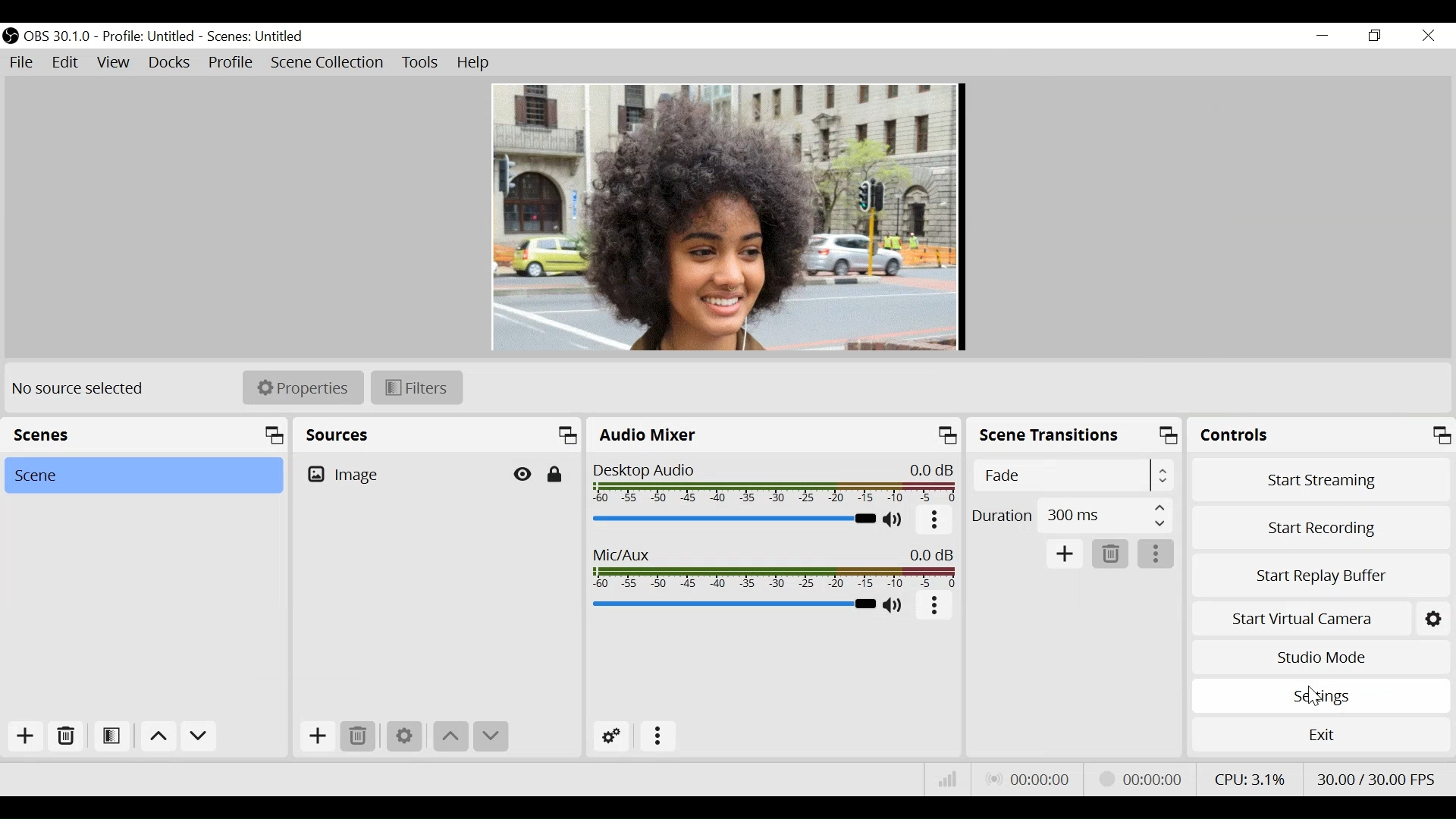  Describe the element at coordinates (475, 64) in the screenshot. I see `Help` at that location.